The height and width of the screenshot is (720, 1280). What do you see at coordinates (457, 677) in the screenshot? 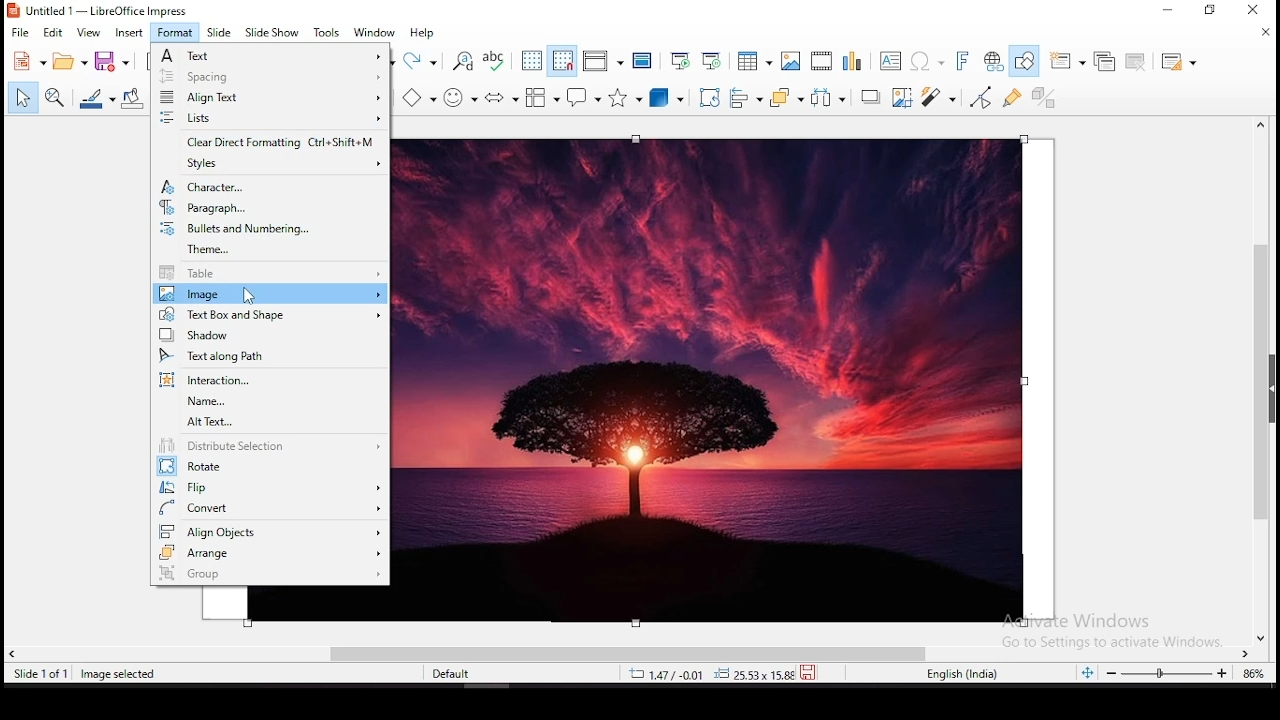
I see `default` at bounding box center [457, 677].